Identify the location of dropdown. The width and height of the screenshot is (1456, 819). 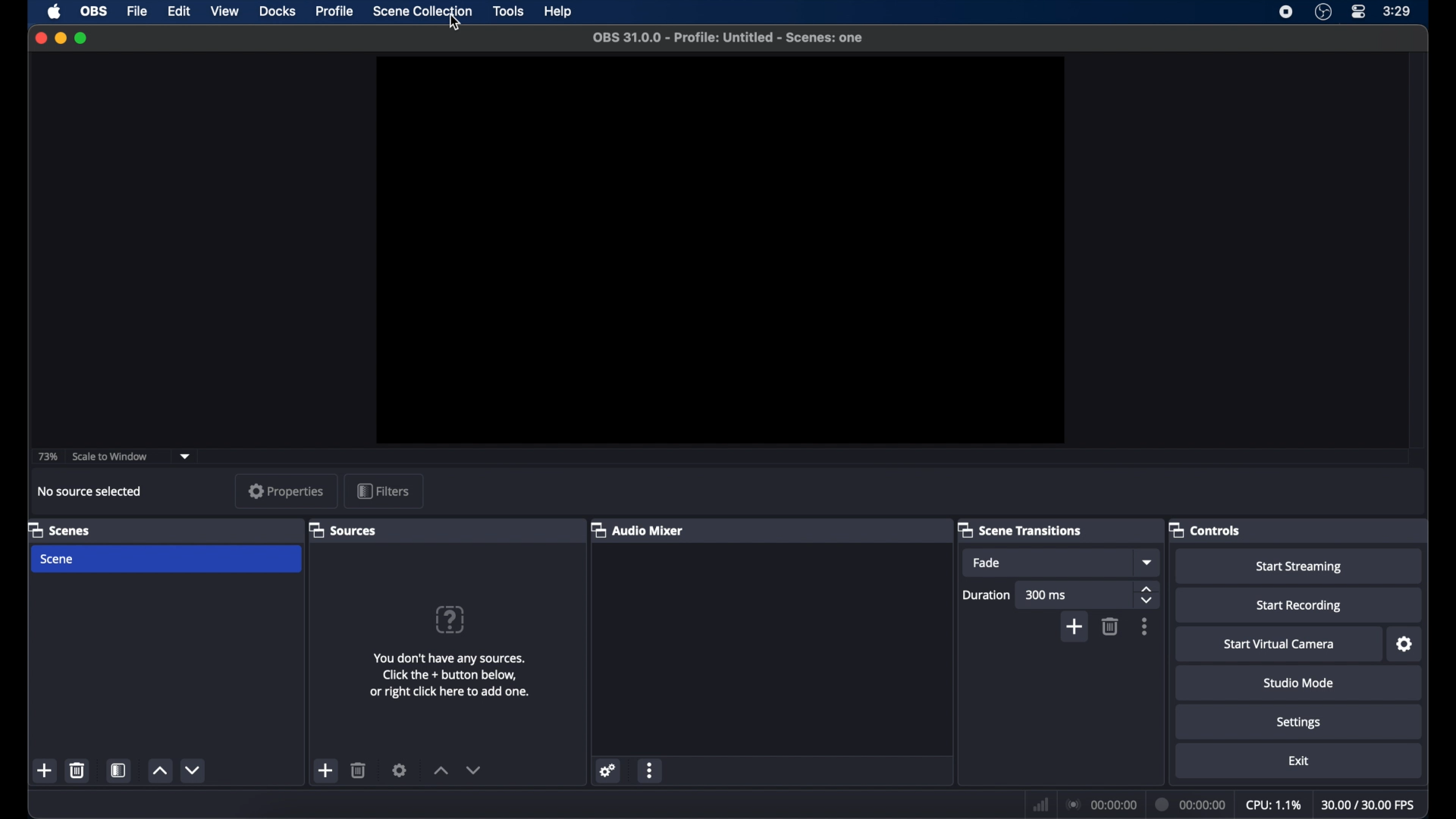
(186, 455).